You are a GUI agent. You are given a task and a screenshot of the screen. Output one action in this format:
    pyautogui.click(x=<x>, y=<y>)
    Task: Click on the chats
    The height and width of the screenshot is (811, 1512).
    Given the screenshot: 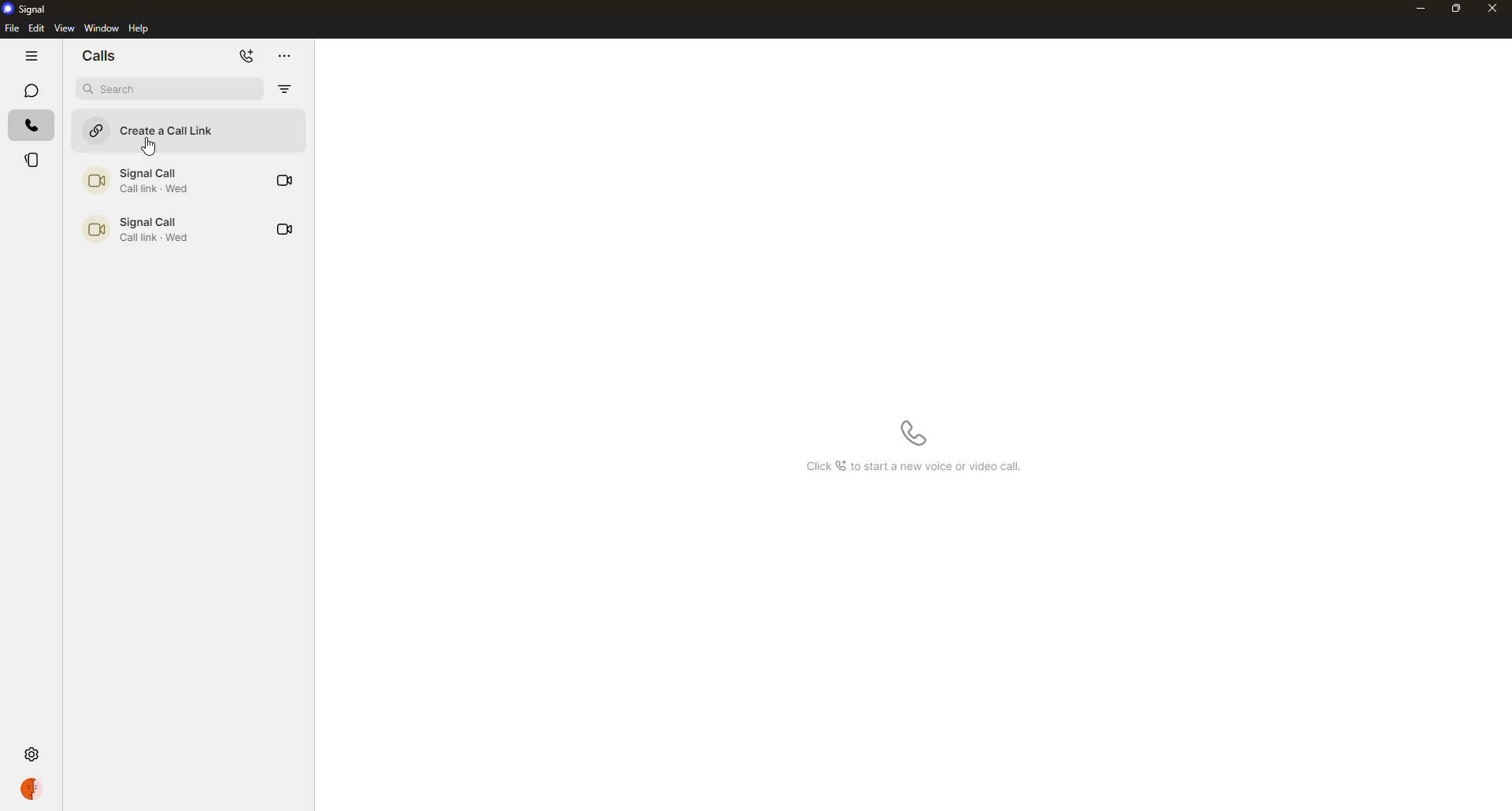 What is the action you would take?
    pyautogui.click(x=31, y=91)
    